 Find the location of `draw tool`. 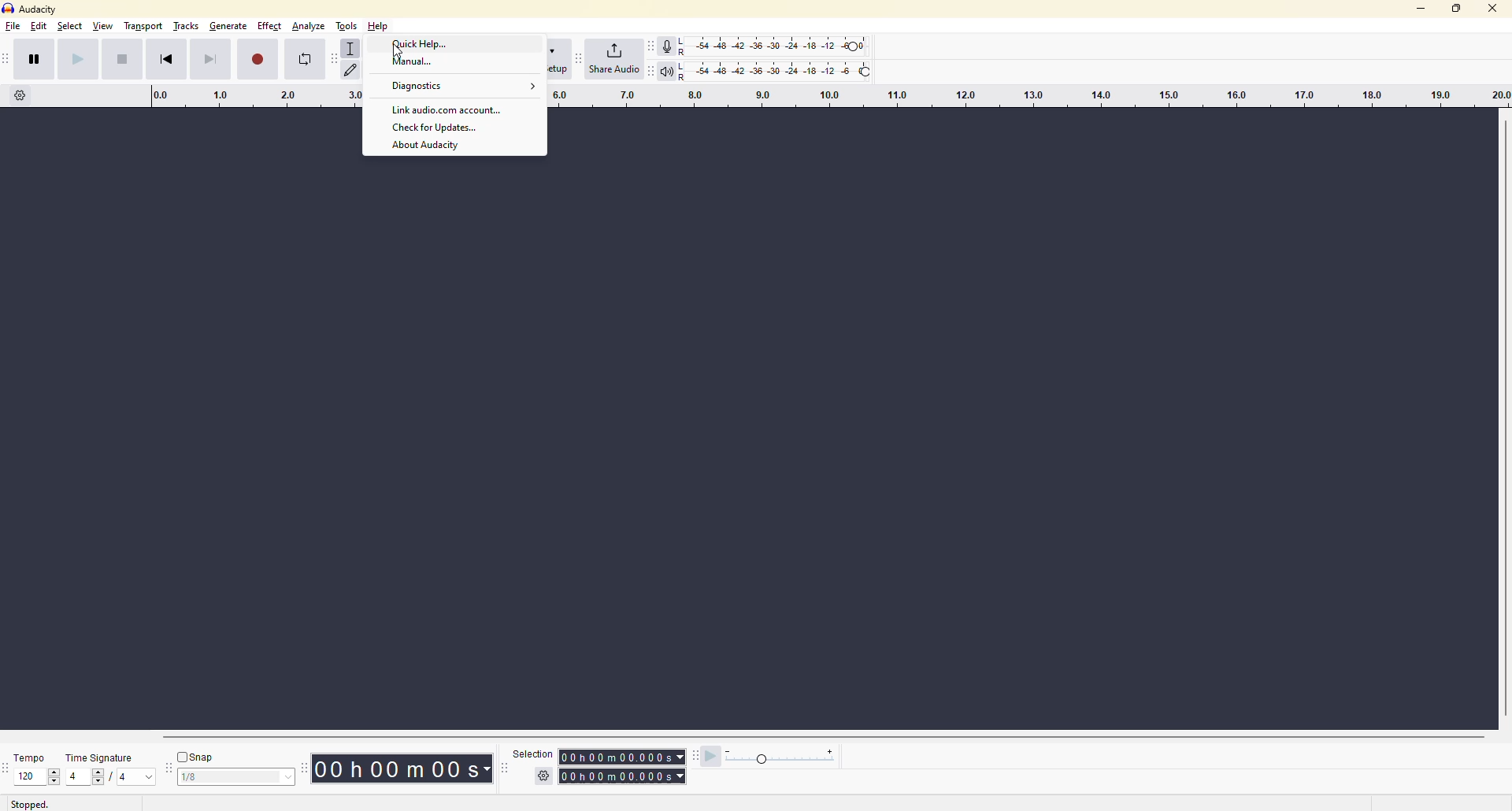

draw tool is located at coordinates (351, 69).